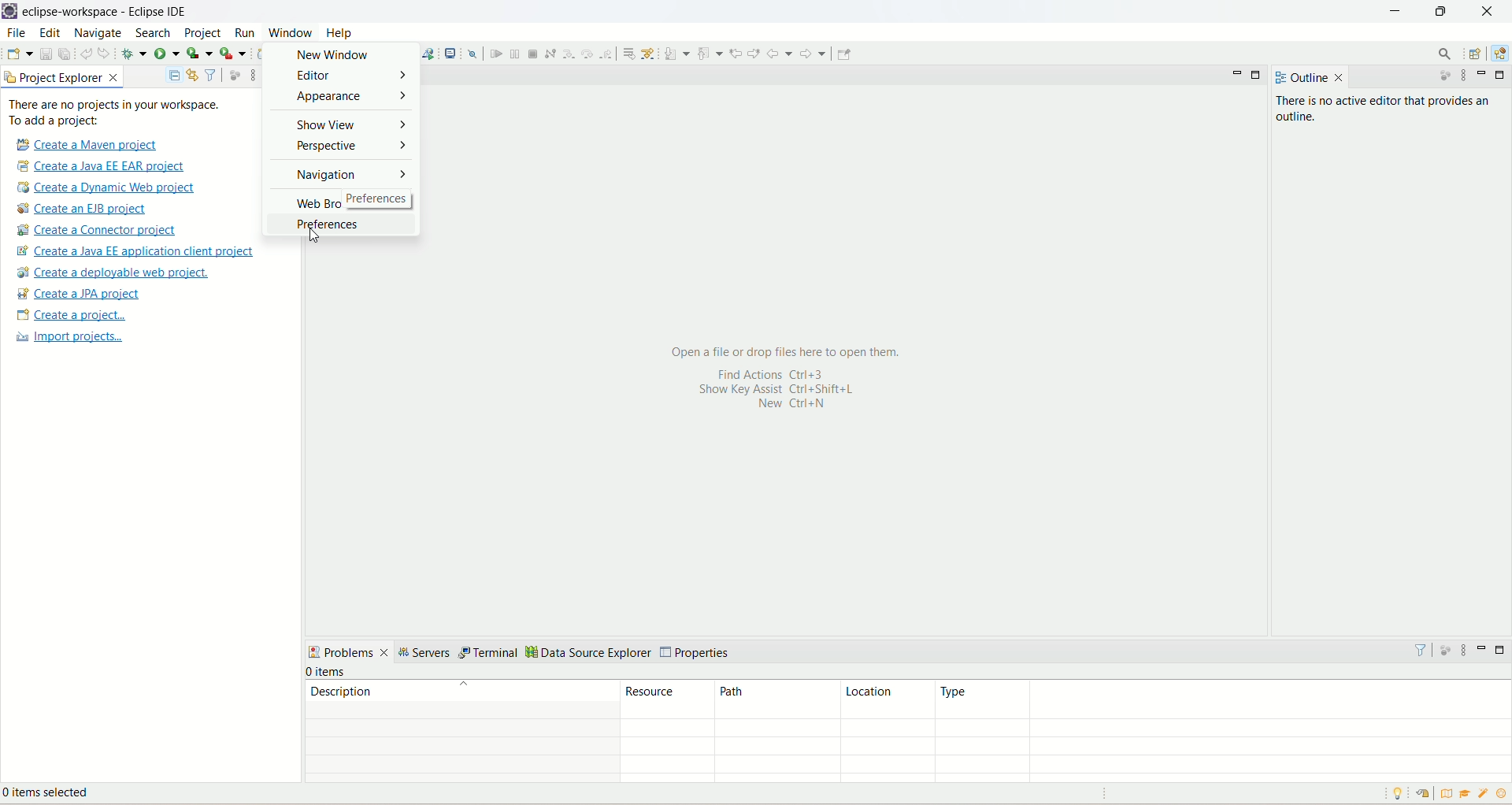 The width and height of the screenshot is (1512, 805). I want to click on select and deselect filters, so click(212, 74).